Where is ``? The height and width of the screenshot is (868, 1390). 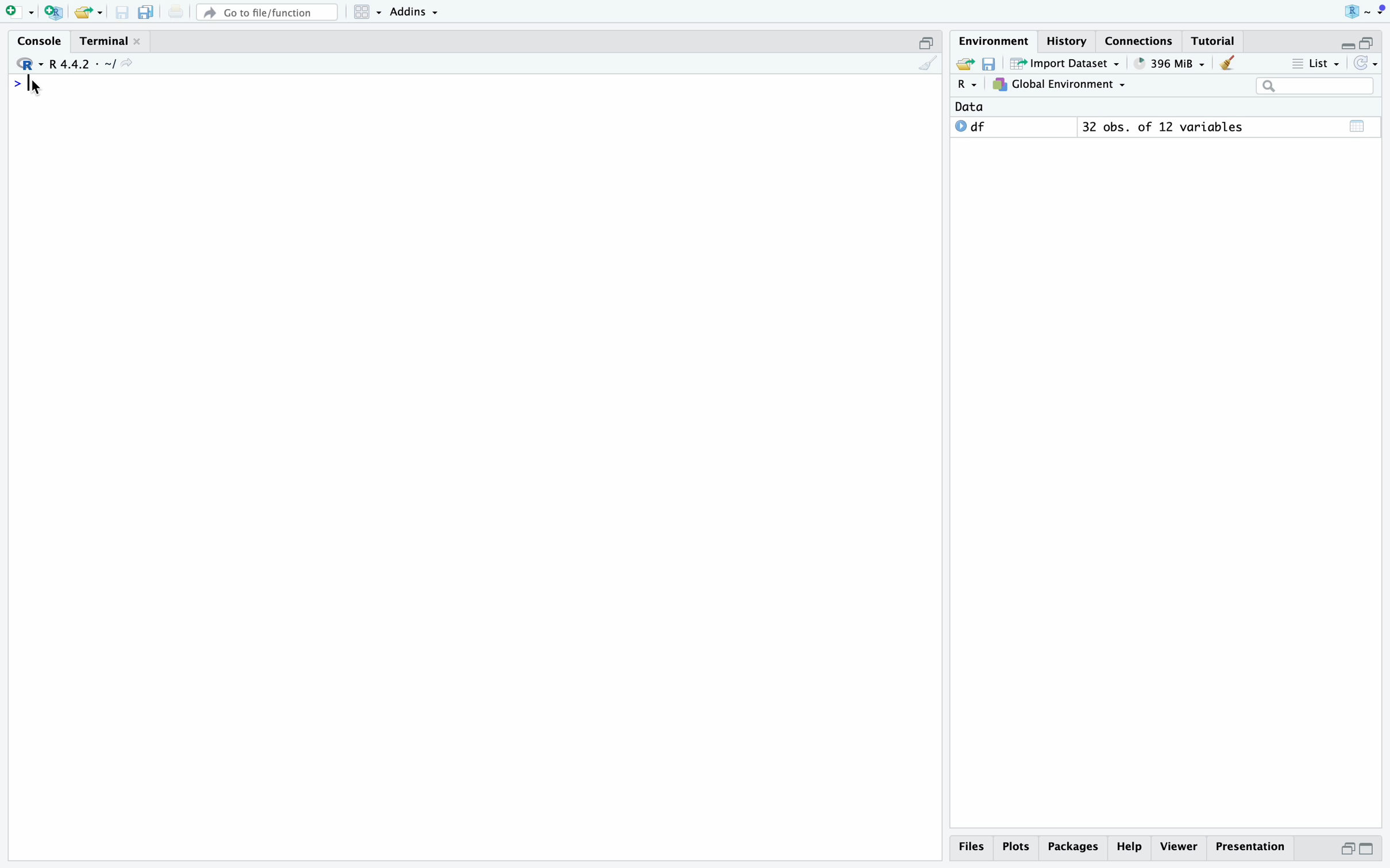  is located at coordinates (1074, 848).